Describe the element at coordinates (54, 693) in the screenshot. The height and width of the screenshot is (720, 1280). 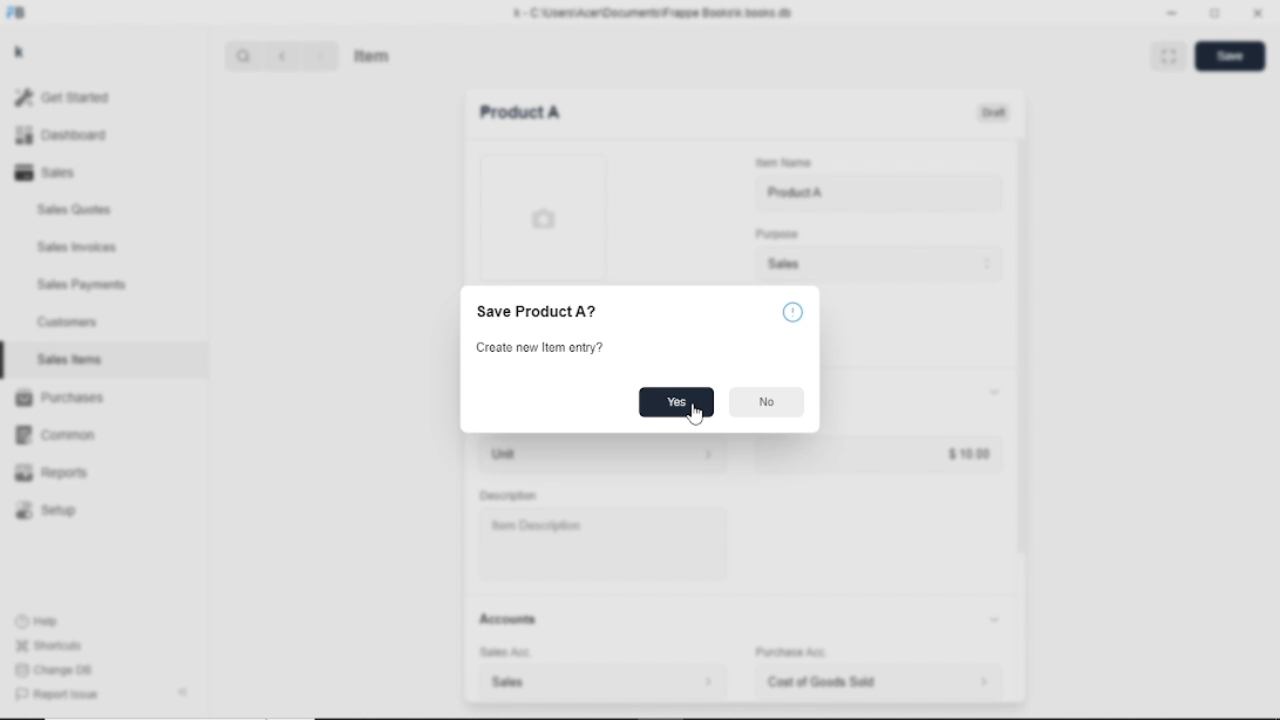
I see `Report issue` at that location.